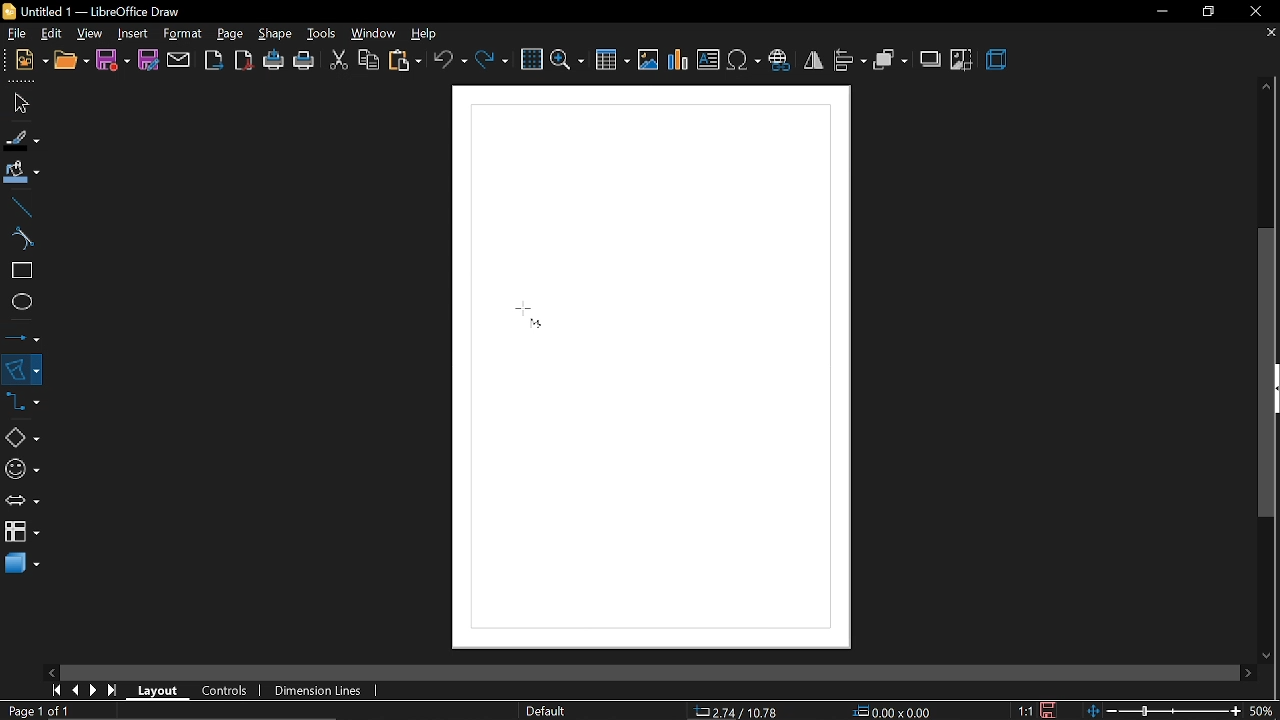  Describe the element at coordinates (321, 34) in the screenshot. I see `tools` at that location.